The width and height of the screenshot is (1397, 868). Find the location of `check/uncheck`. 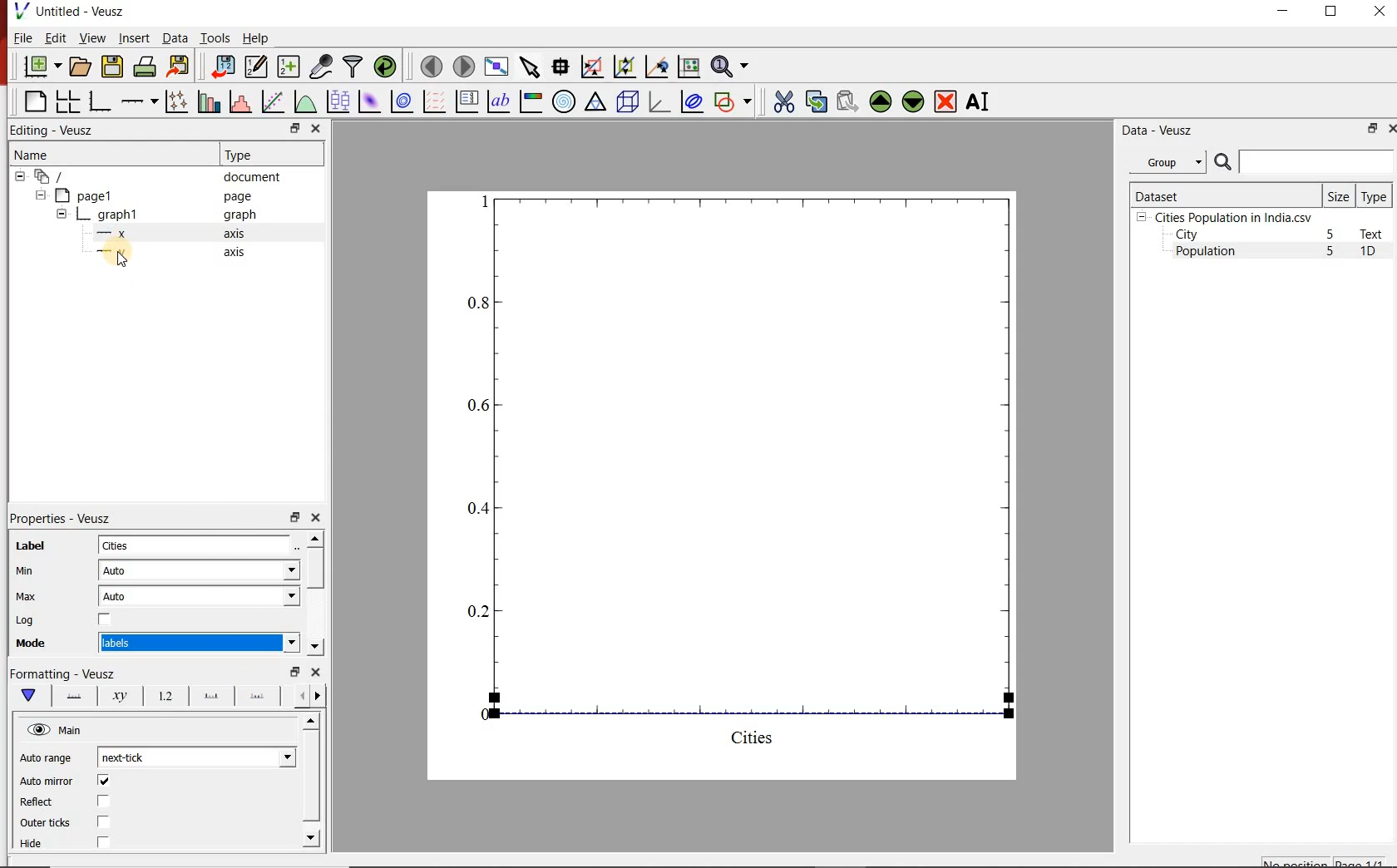

check/uncheck is located at coordinates (104, 801).